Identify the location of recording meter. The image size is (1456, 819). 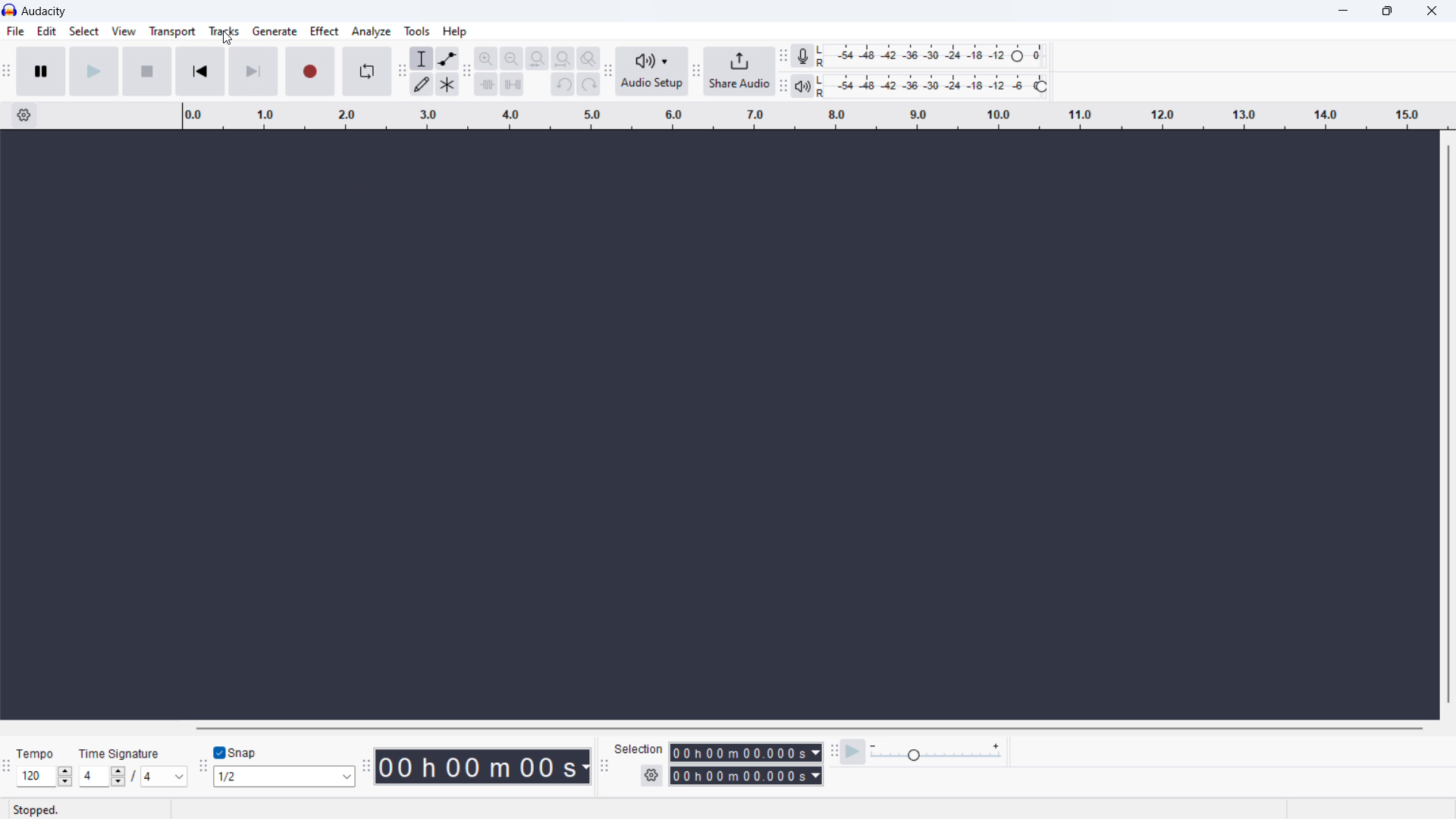
(803, 56).